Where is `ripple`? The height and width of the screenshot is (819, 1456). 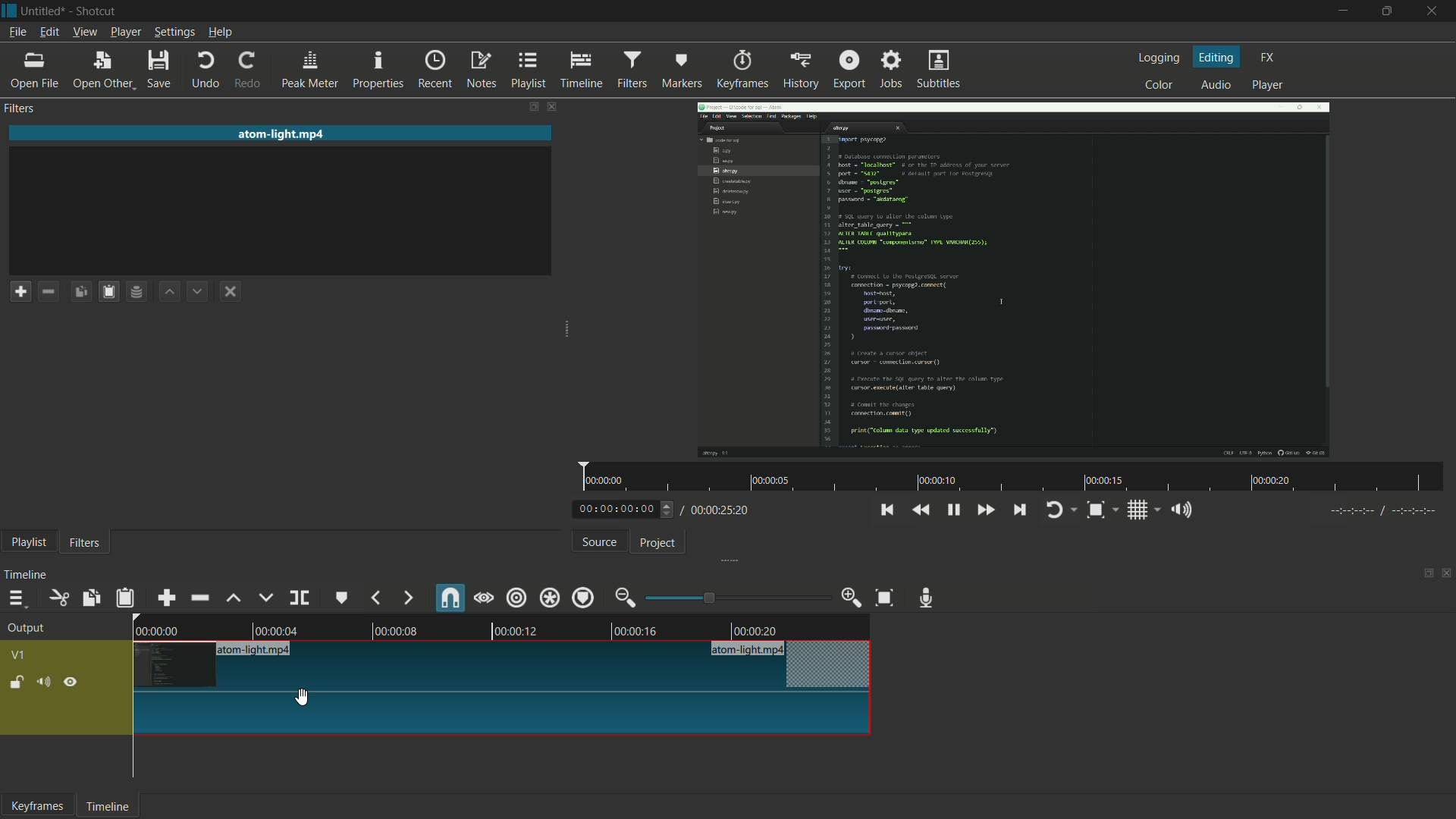 ripple is located at coordinates (516, 597).